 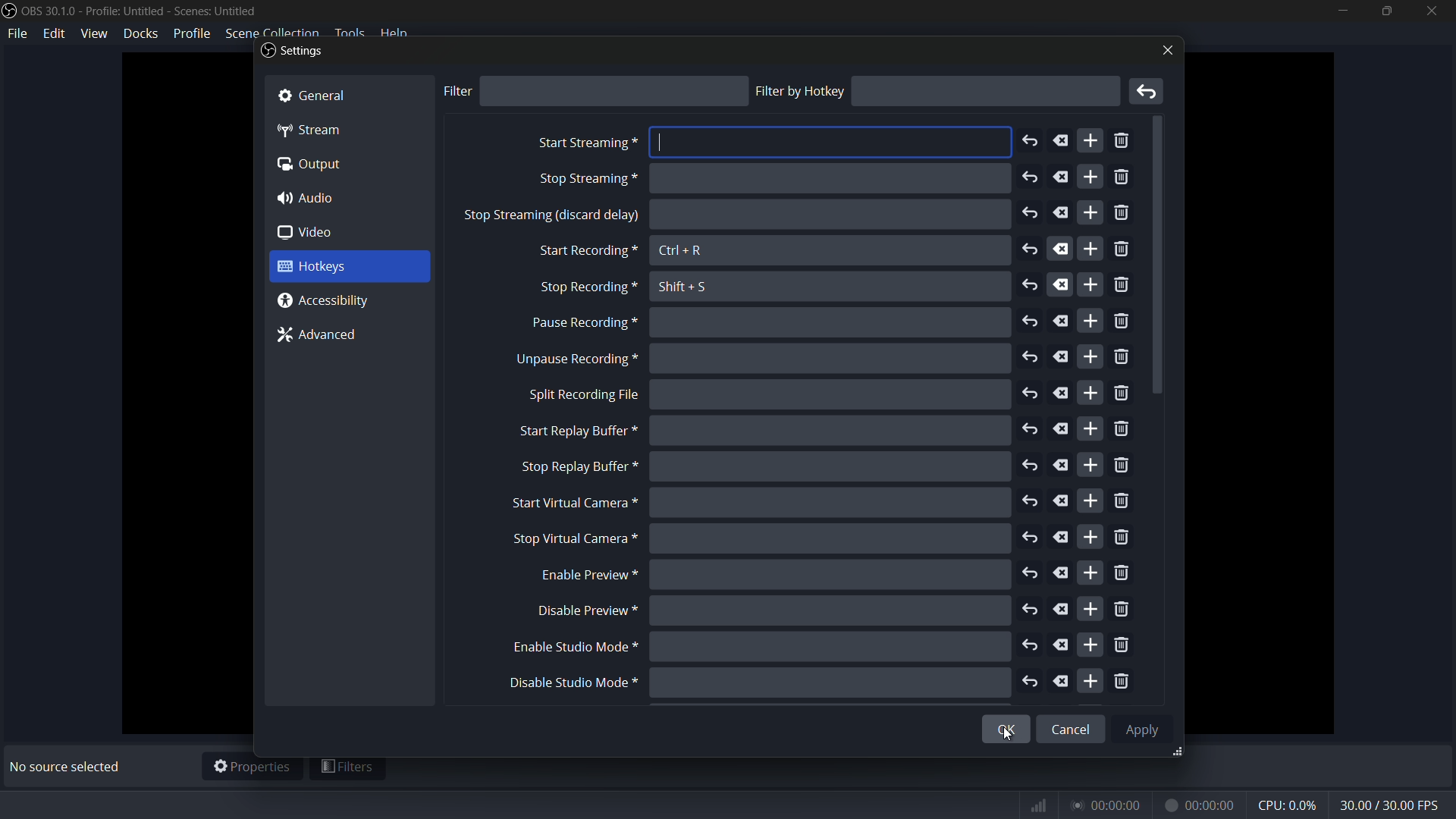 I want to click on minimize, so click(x=1342, y=11).